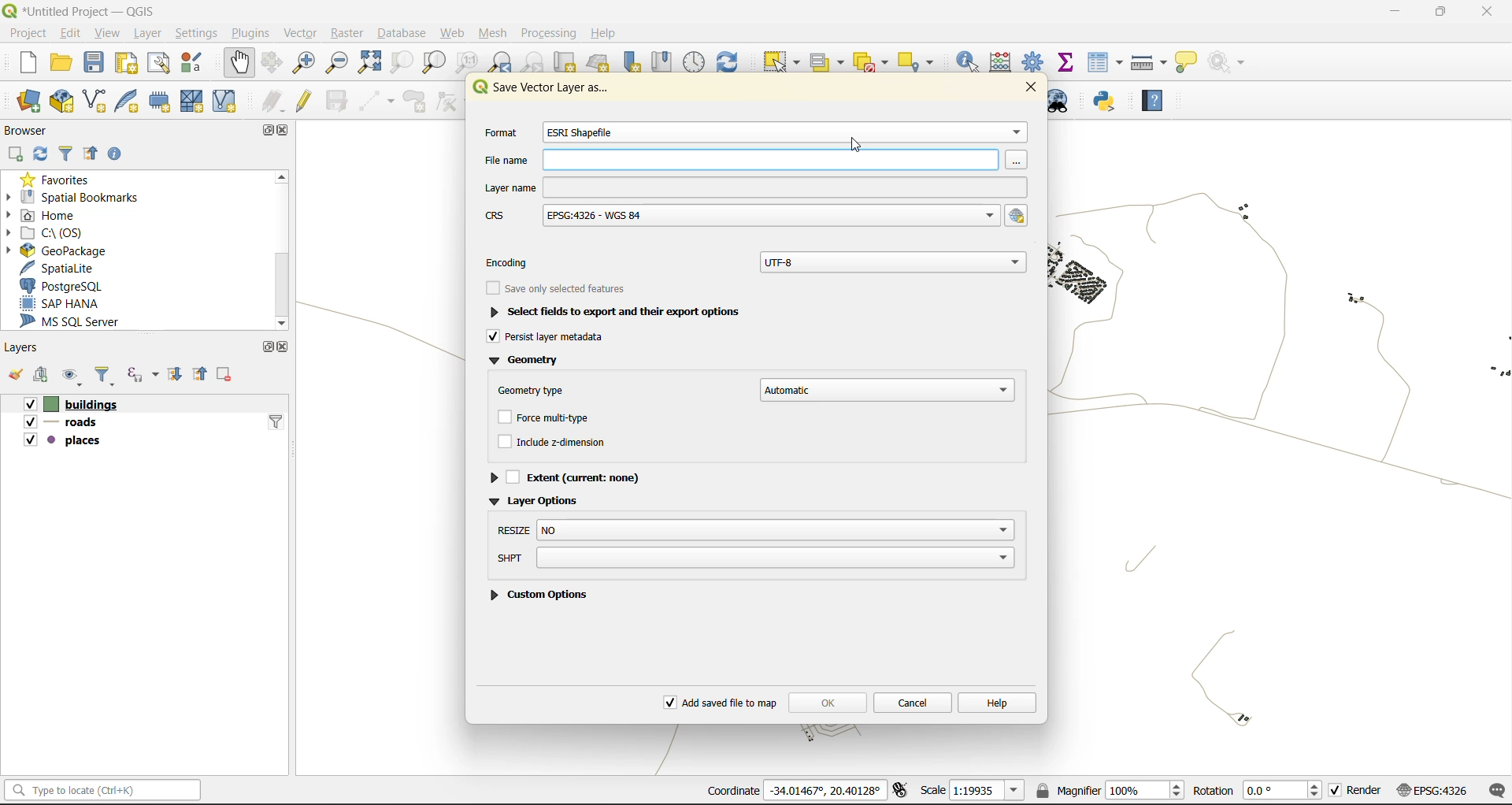  I want to click on database, so click(405, 32).